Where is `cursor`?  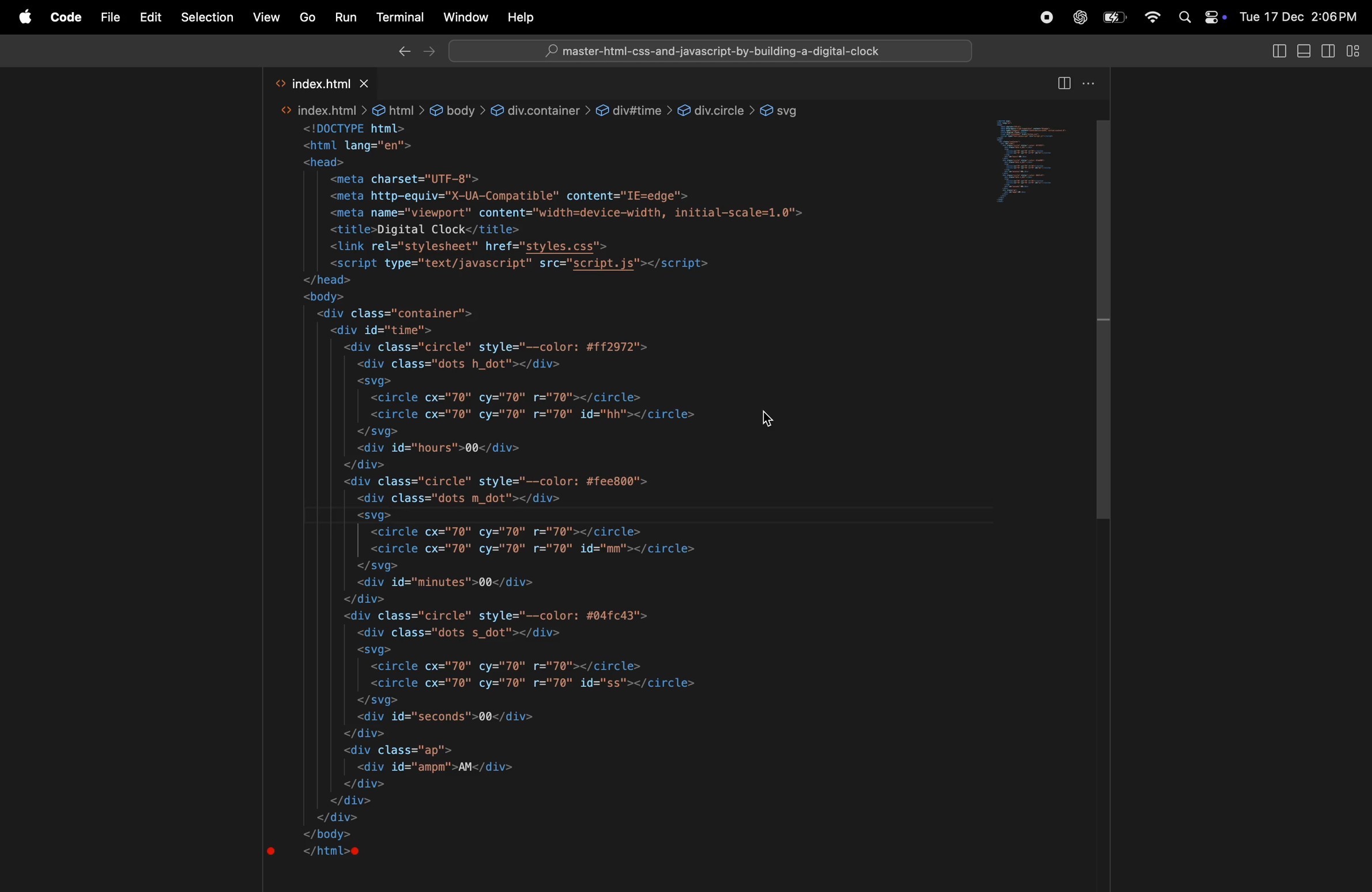 cursor is located at coordinates (1358, 63).